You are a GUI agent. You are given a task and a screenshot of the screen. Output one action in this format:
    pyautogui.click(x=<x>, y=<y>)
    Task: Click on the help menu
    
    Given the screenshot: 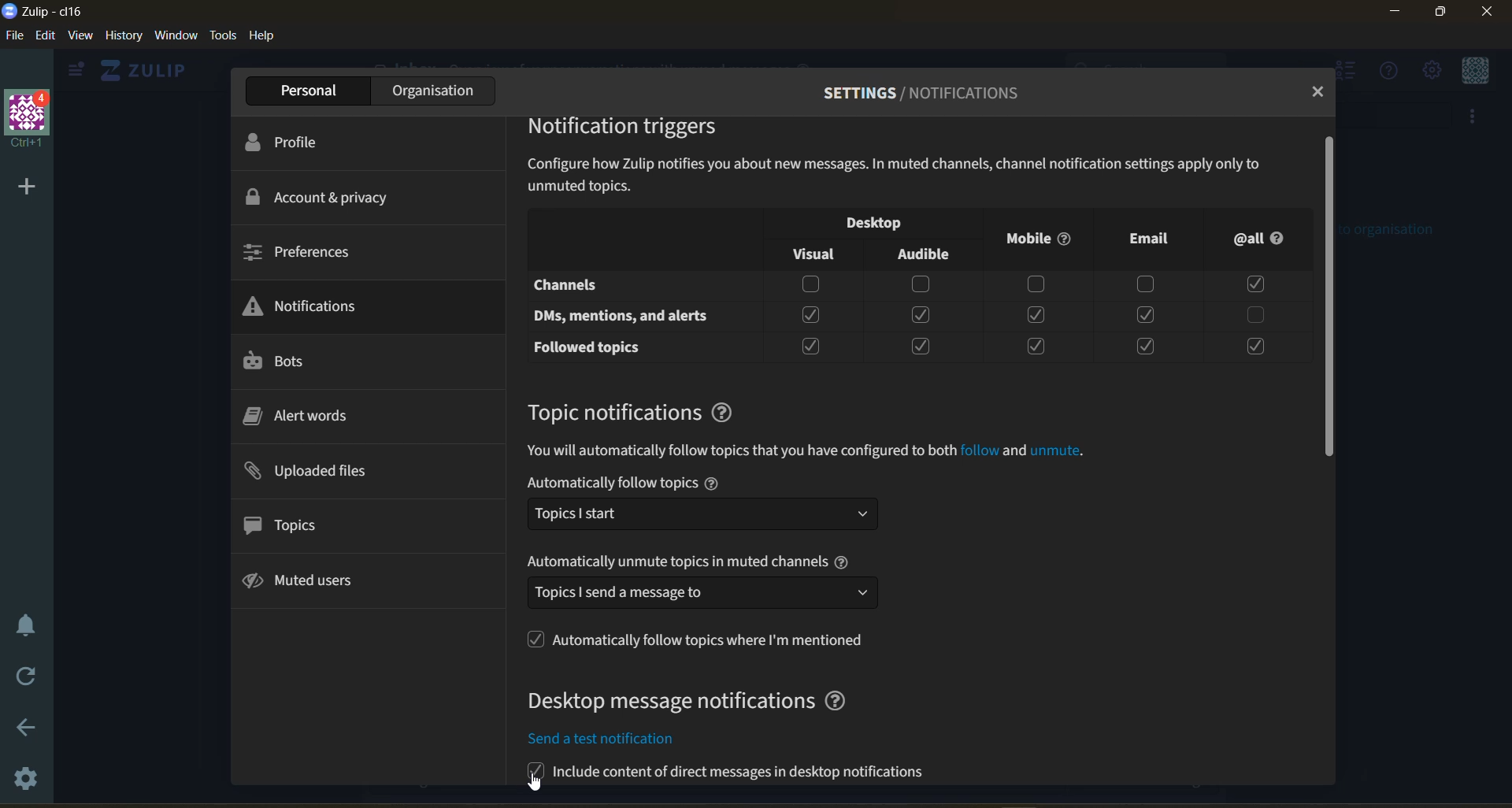 What is the action you would take?
    pyautogui.click(x=1390, y=72)
    